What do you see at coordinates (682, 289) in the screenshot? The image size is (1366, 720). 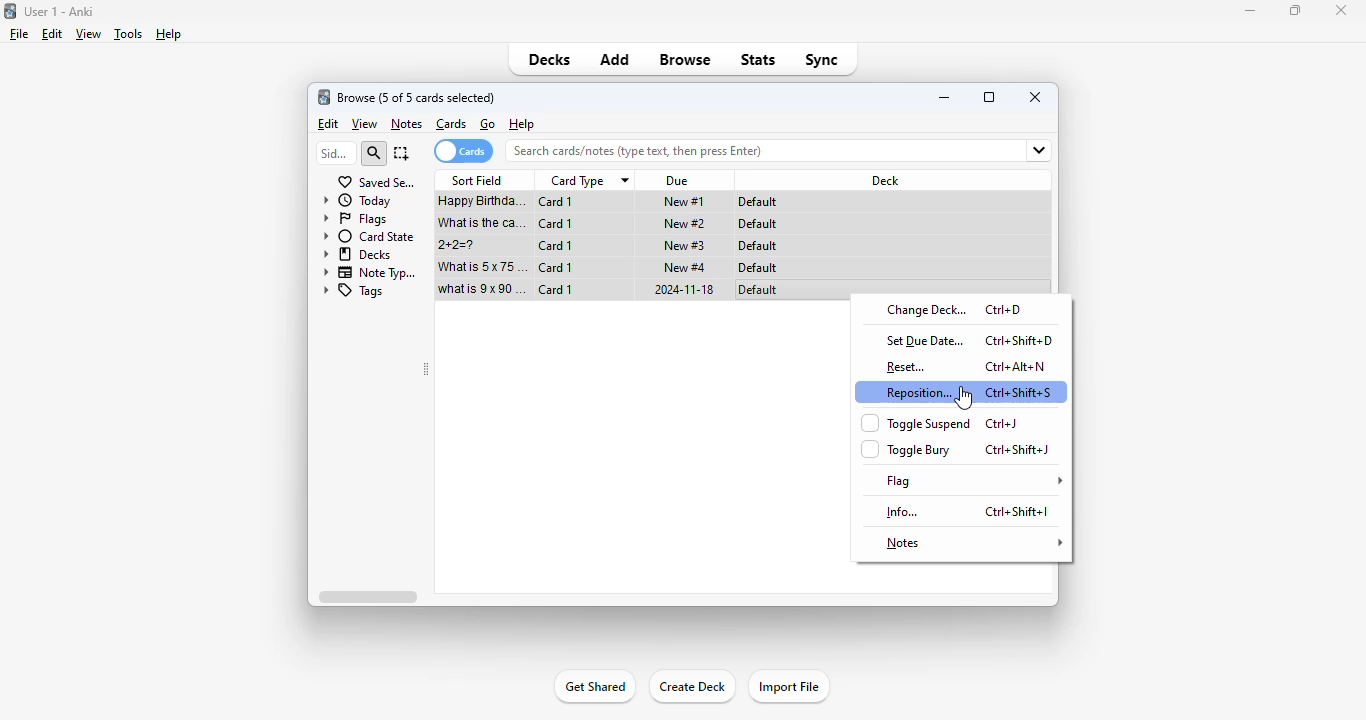 I see `2024-11-18` at bounding box center [682, 289].